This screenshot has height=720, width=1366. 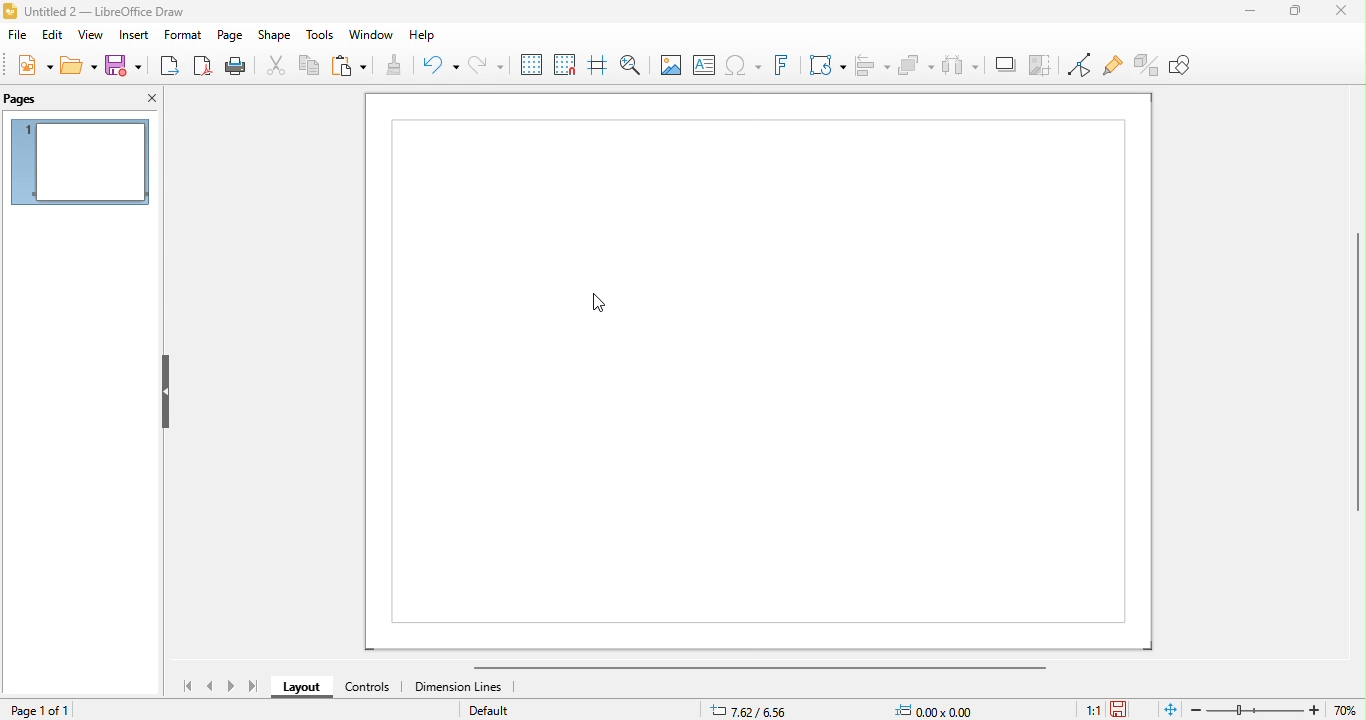 What do you see at coordinates (462, 689) in the screenshot?
I see `dimension lines` at bounding box center [462, 689].